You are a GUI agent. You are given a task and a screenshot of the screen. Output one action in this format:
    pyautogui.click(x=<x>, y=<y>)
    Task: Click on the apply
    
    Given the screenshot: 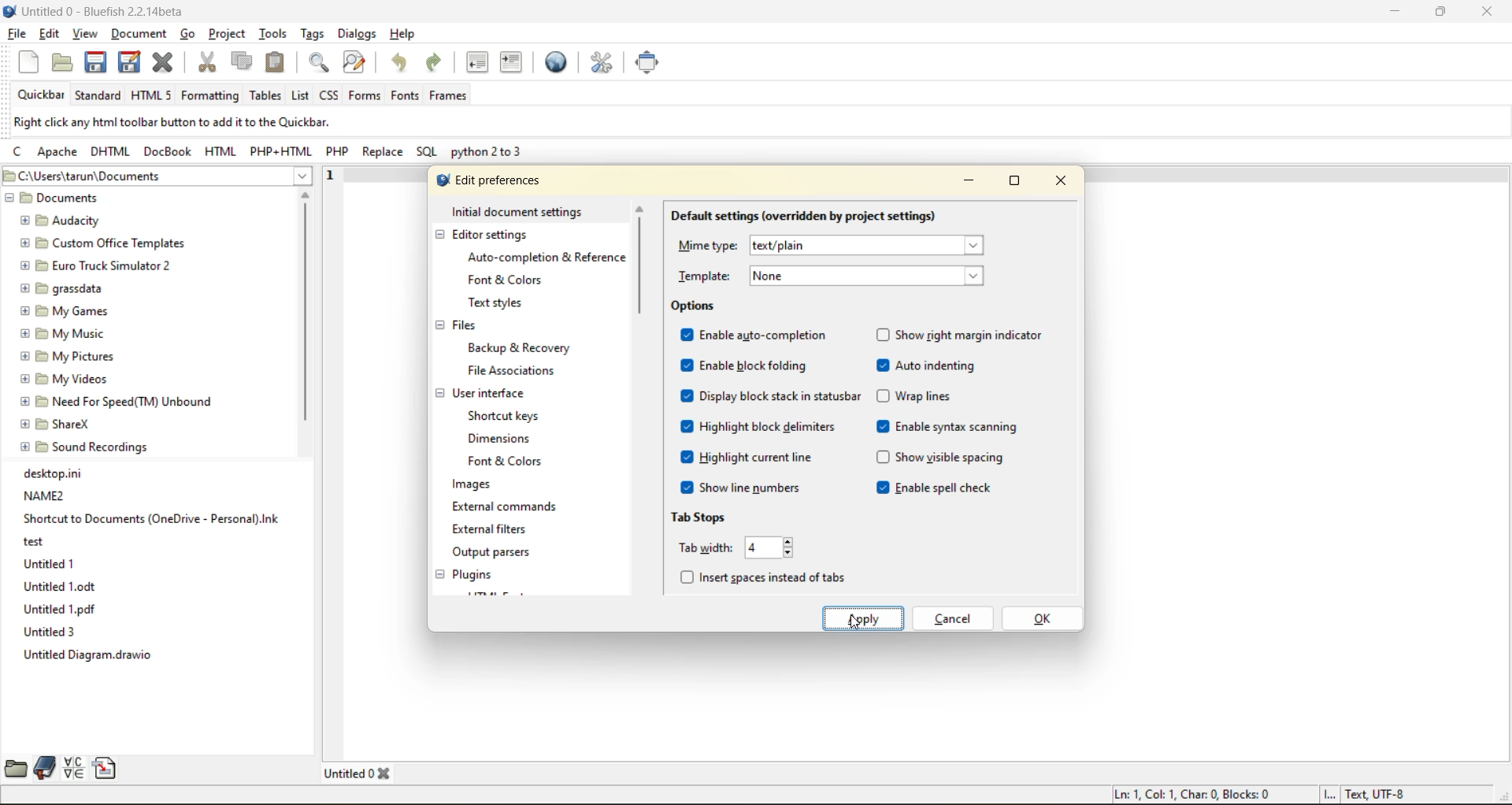 What is the action you would take?
    pyautogui.click(x=865, y=617)
    